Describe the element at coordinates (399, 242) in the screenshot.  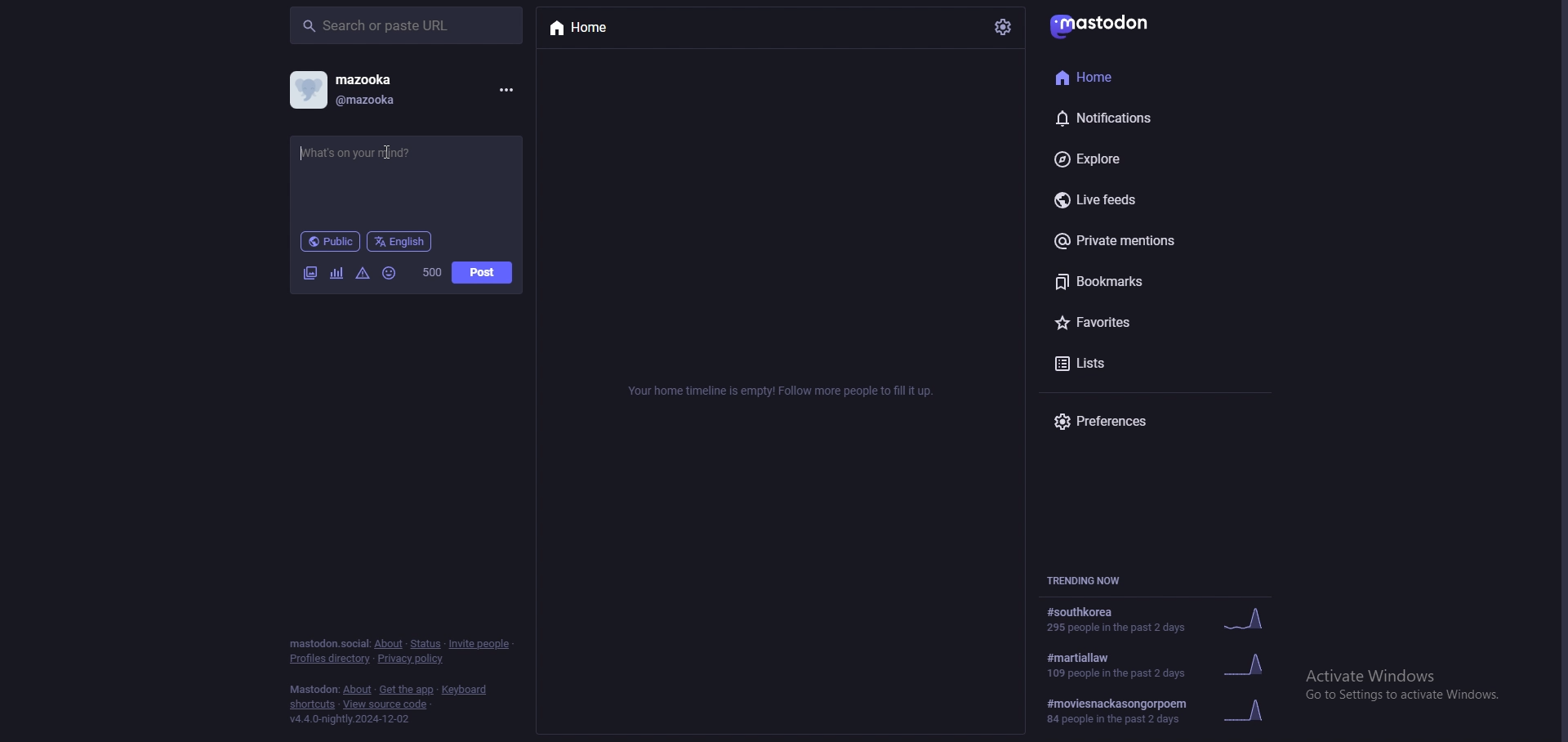
I see `language` at that location.